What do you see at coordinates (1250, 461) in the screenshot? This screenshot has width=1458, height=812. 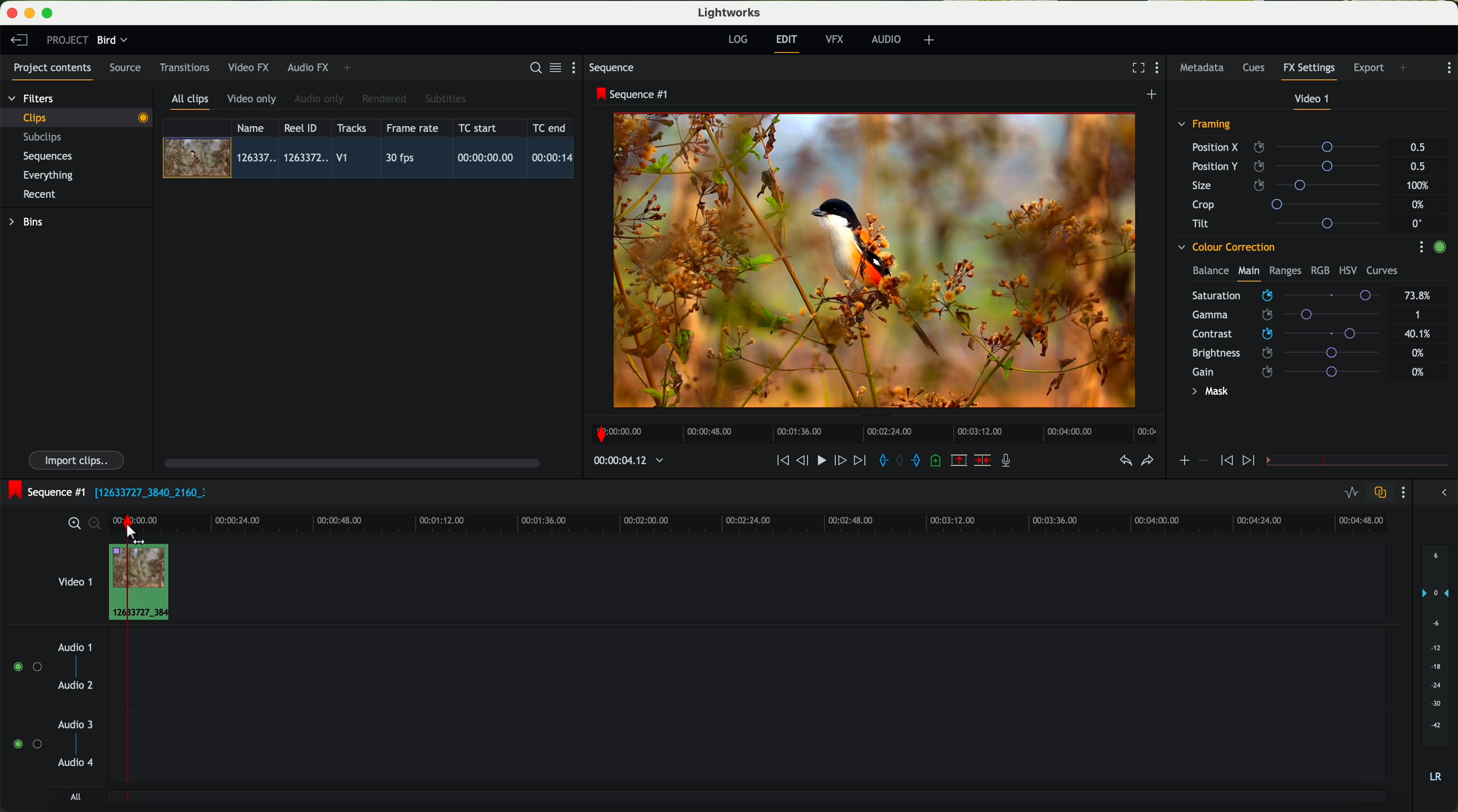 I see `icon` at bounding box center [1250, 461].